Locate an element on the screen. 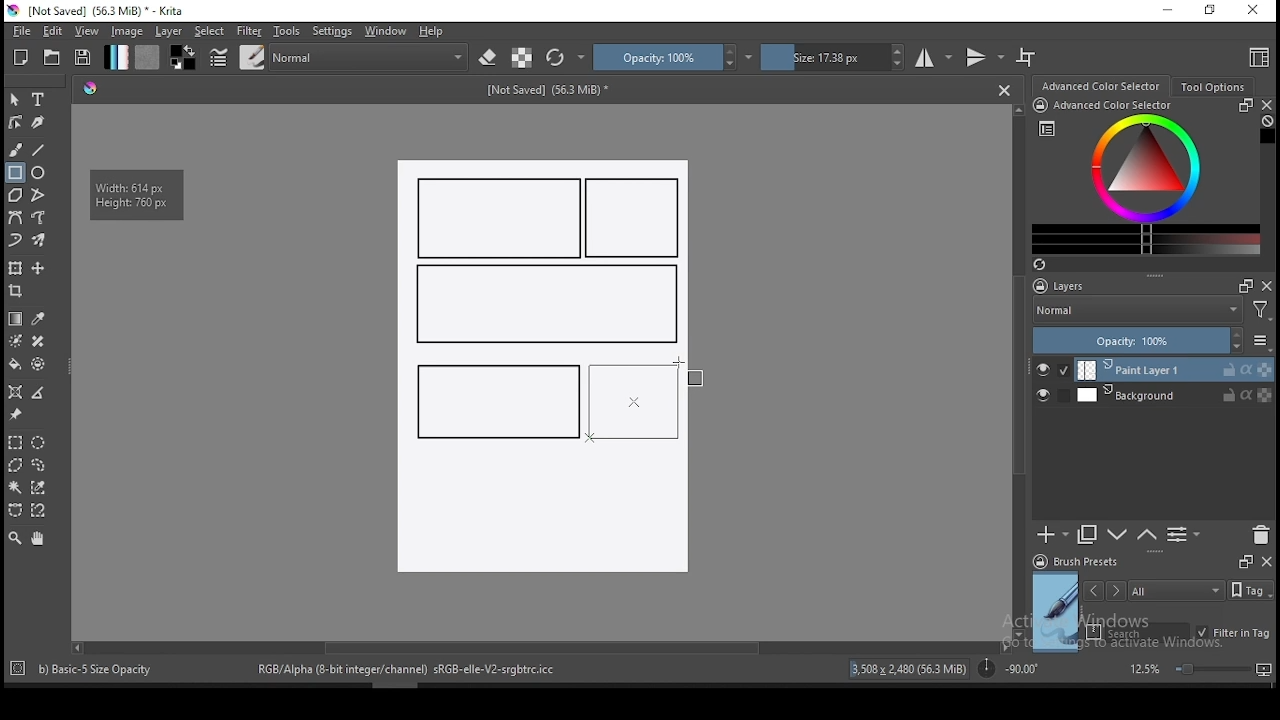 The width and height of the screenshot is (1280, 720). layer is located at coordinates (1174, 395).